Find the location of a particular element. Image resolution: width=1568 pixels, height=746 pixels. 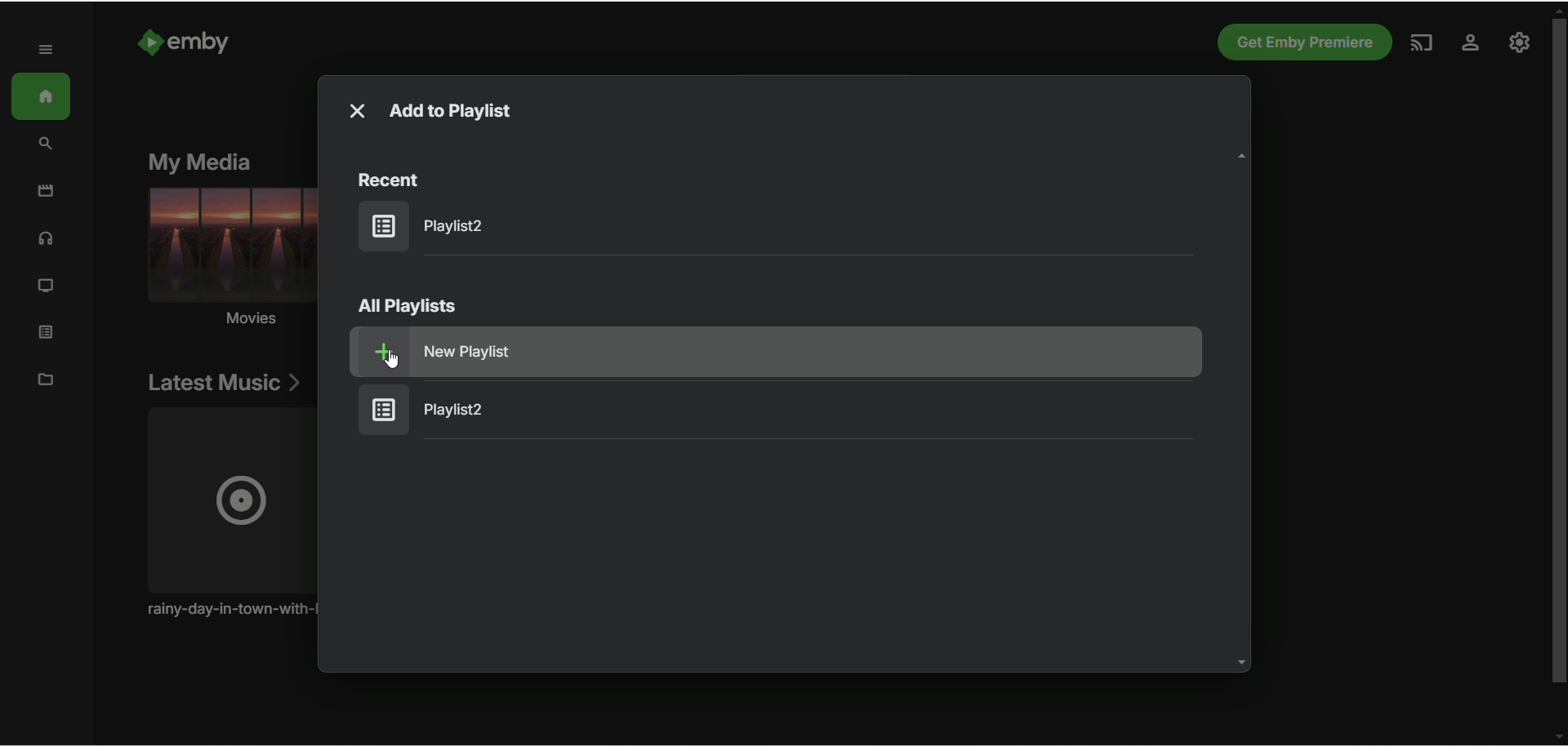

playlist is located at coordinates (437, 410).